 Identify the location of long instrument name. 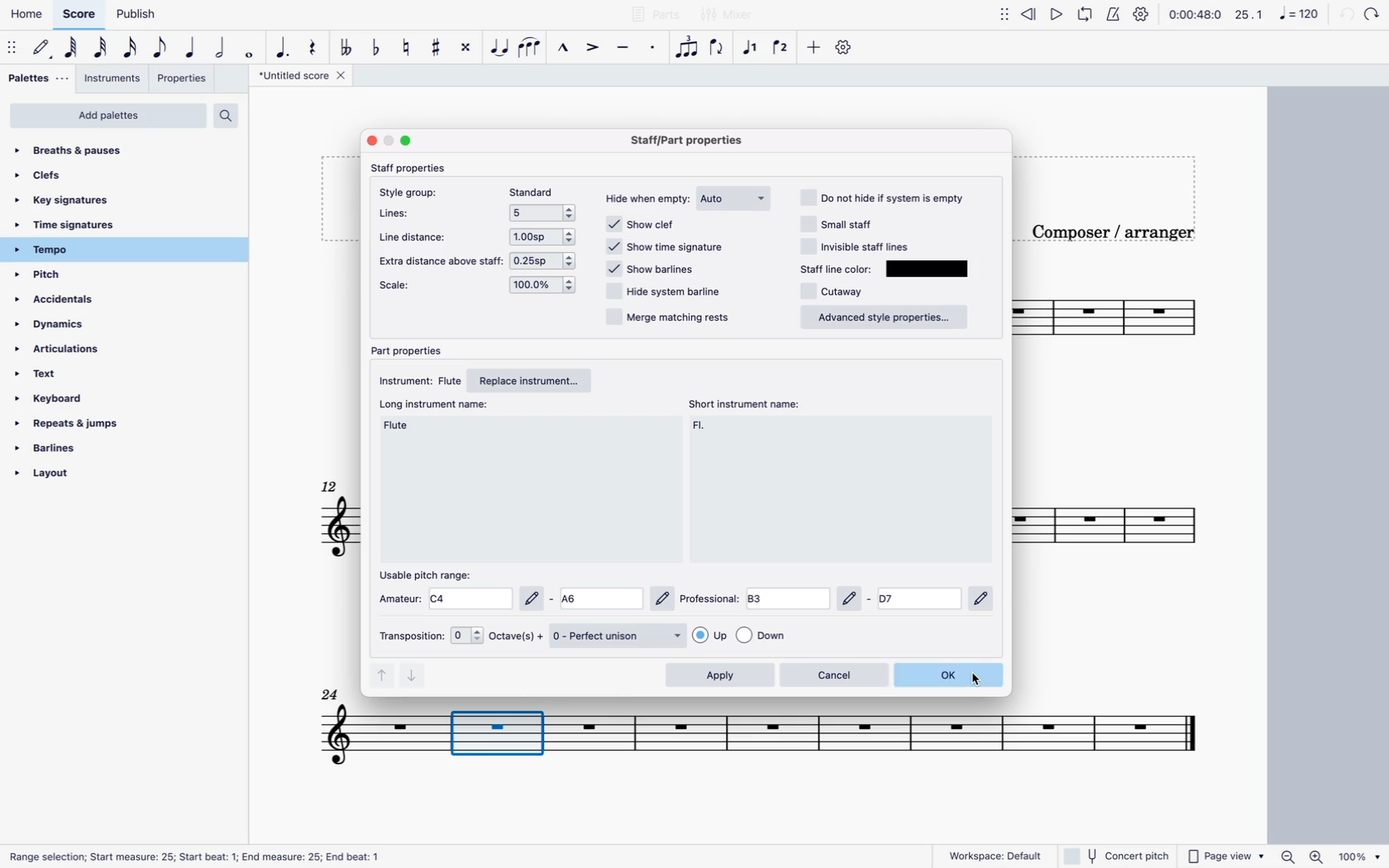
(404, 426).